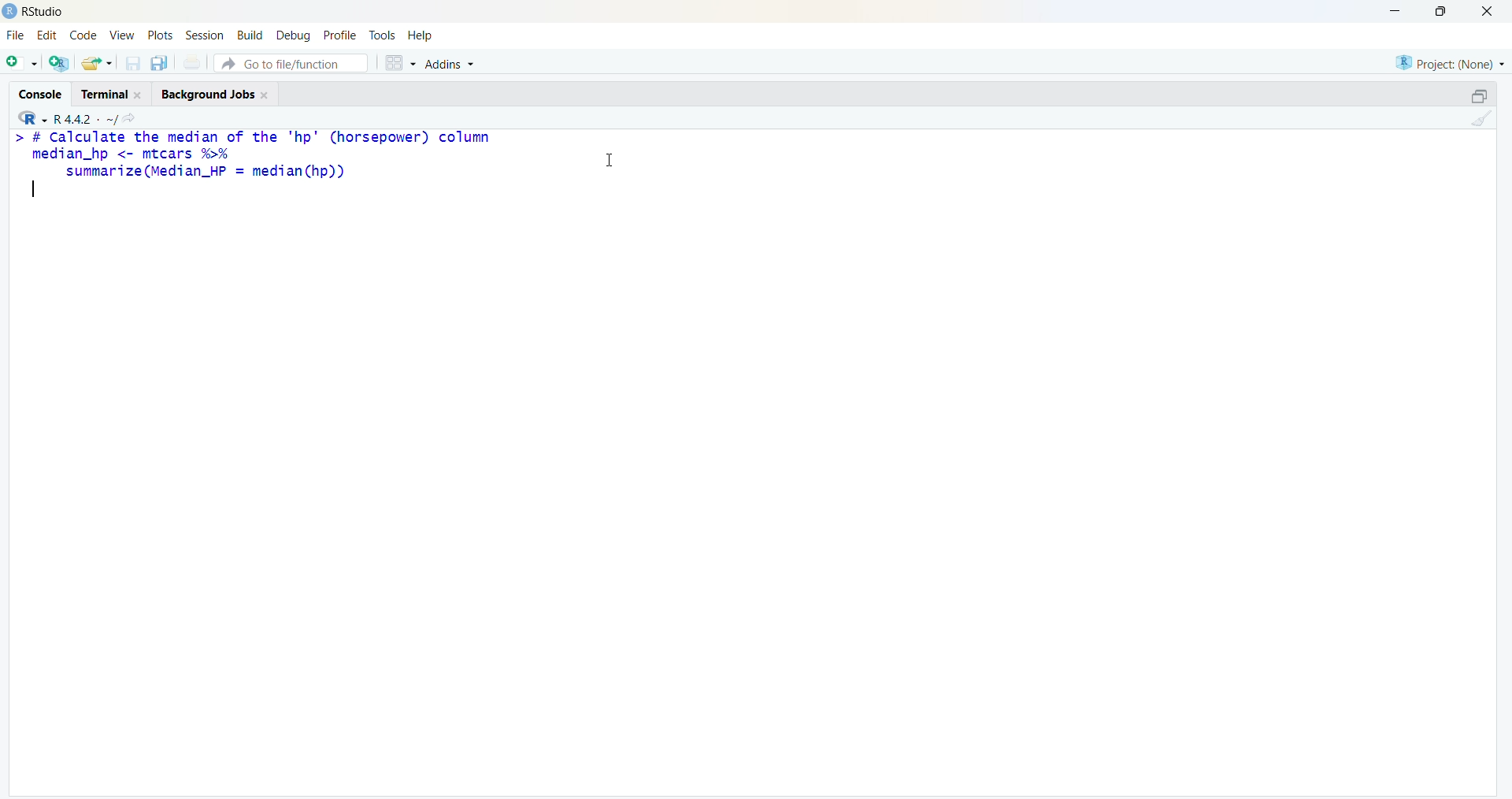 The width and height of the screenshot is (1512, 799). What do you see at coordinates (340, 35) in the screenshot?
I see `profile` at bounding box center [340, 35].